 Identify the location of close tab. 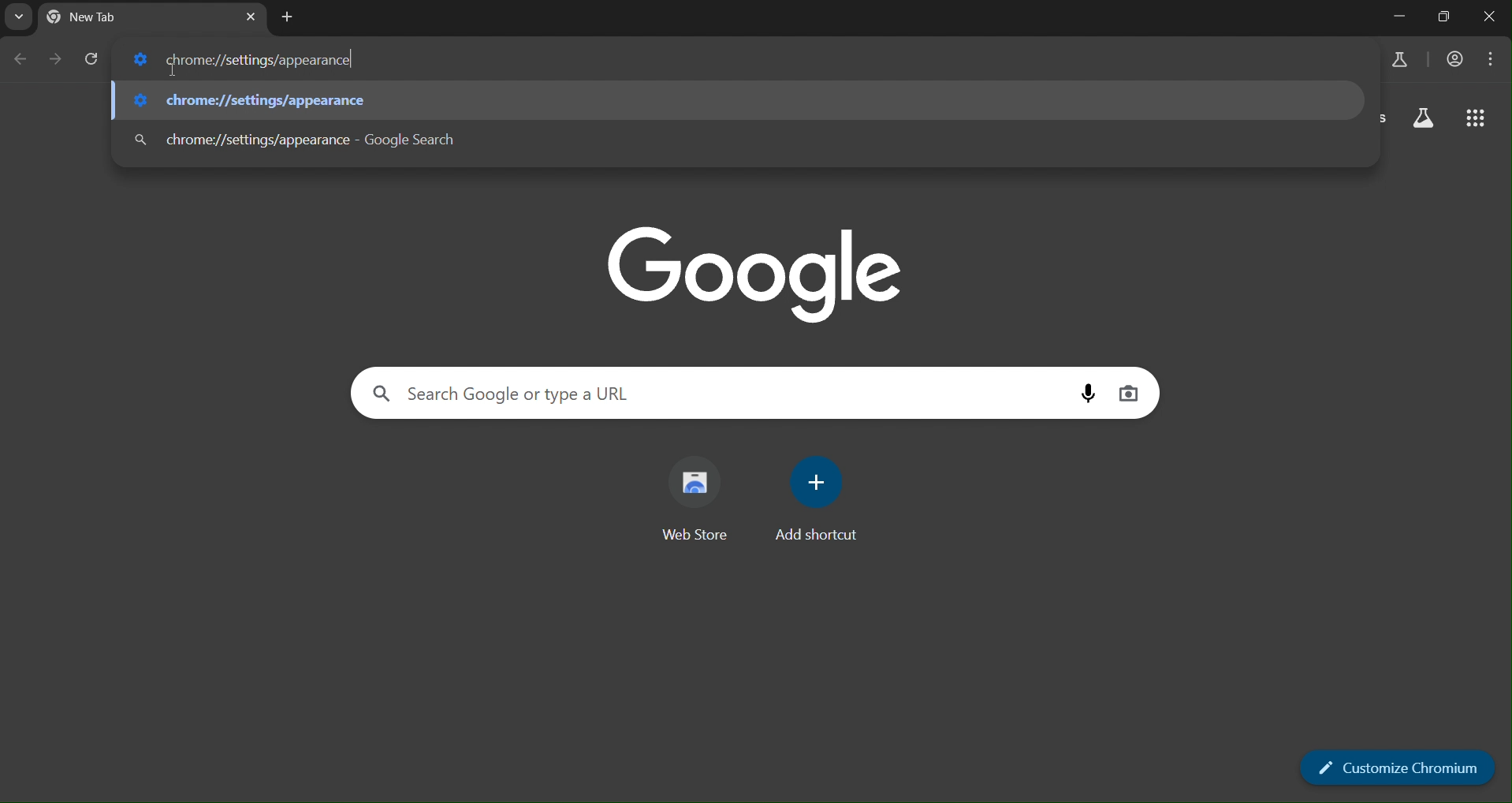
(249, 16).